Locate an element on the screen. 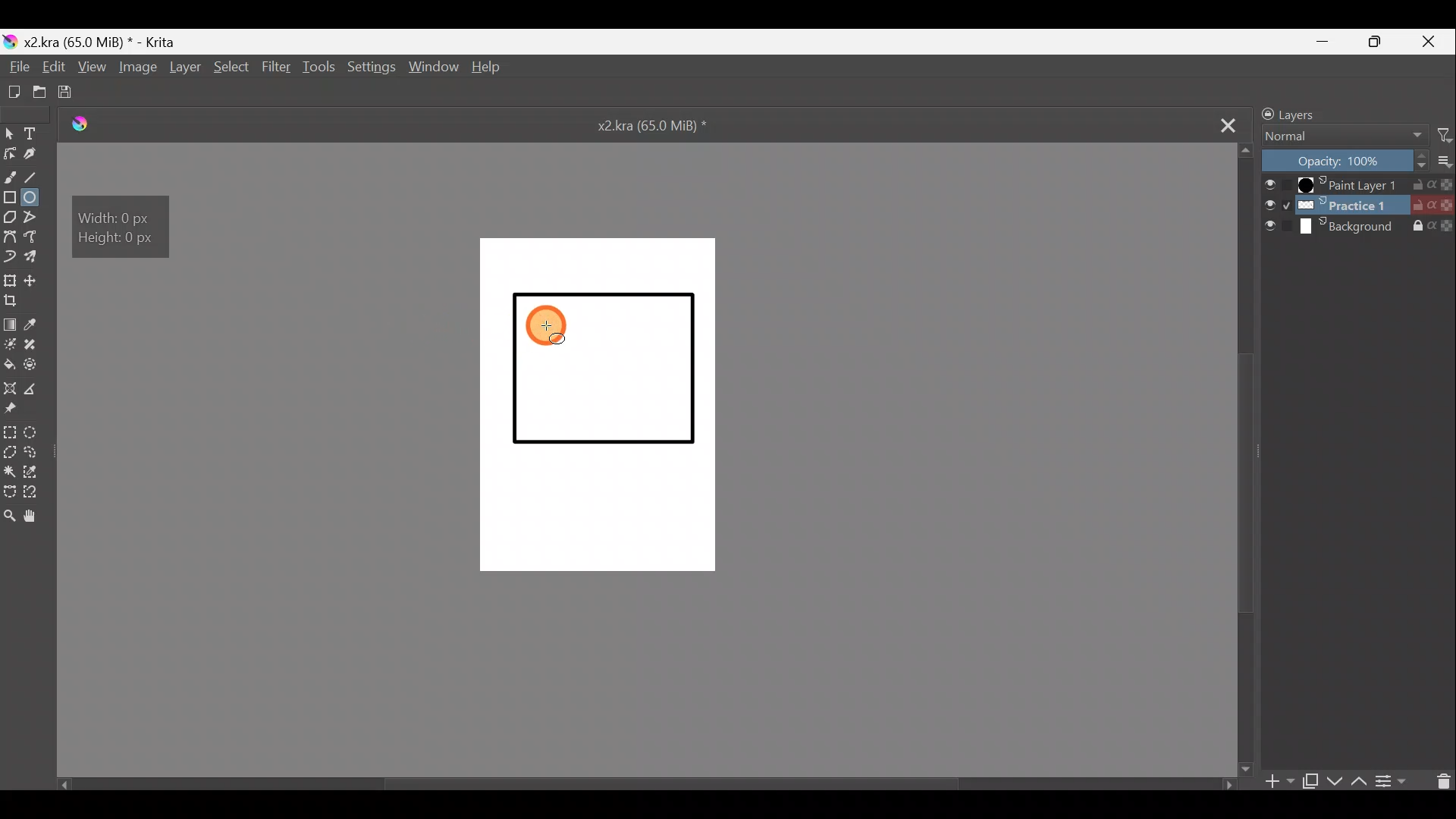 This screenshot has width=1456, height=819. View/change layer properties is located at coordinates (1396, 783).